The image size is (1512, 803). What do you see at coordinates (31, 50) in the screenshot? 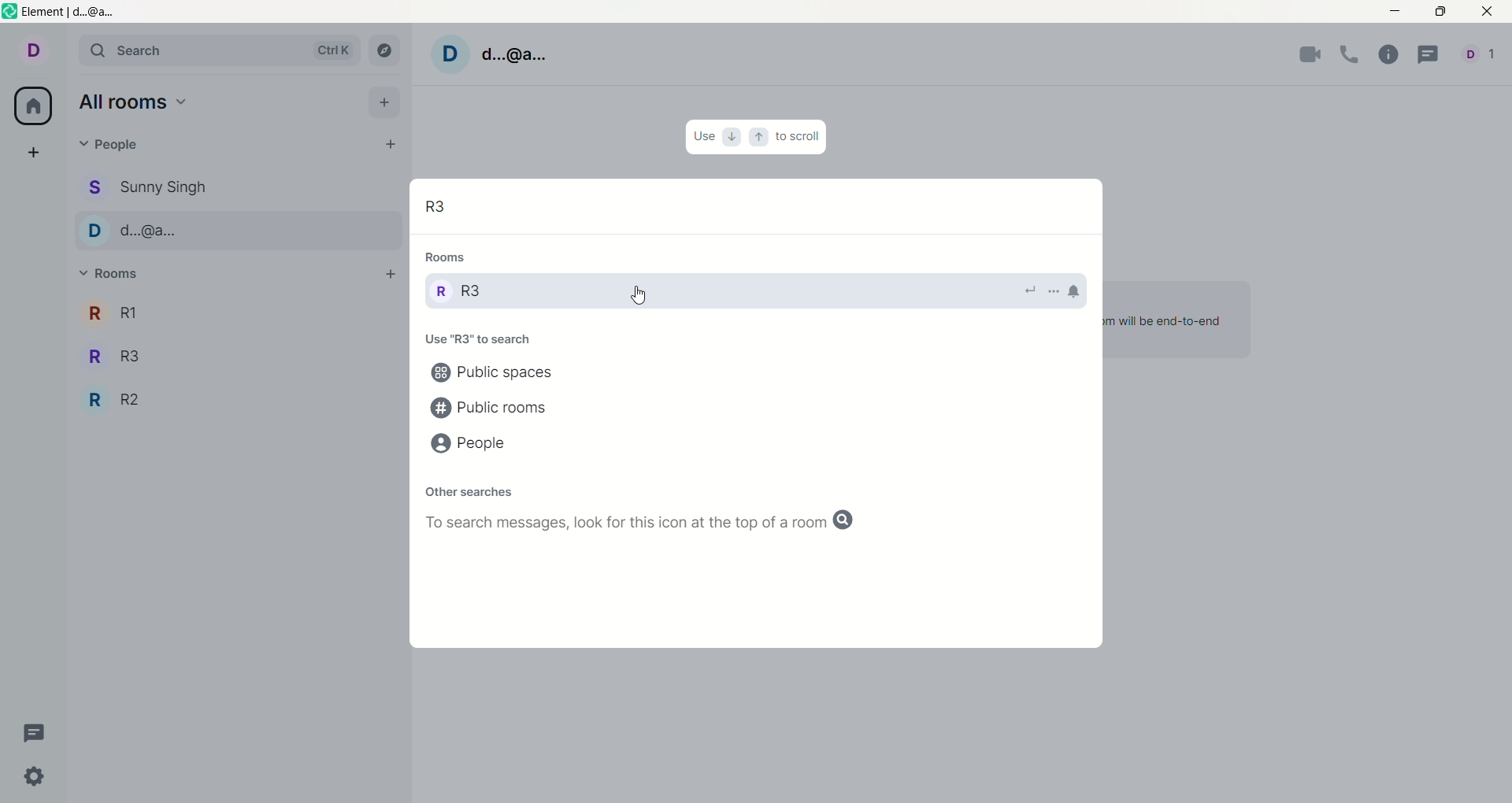
I see `account` at bounding box center [31, 50].